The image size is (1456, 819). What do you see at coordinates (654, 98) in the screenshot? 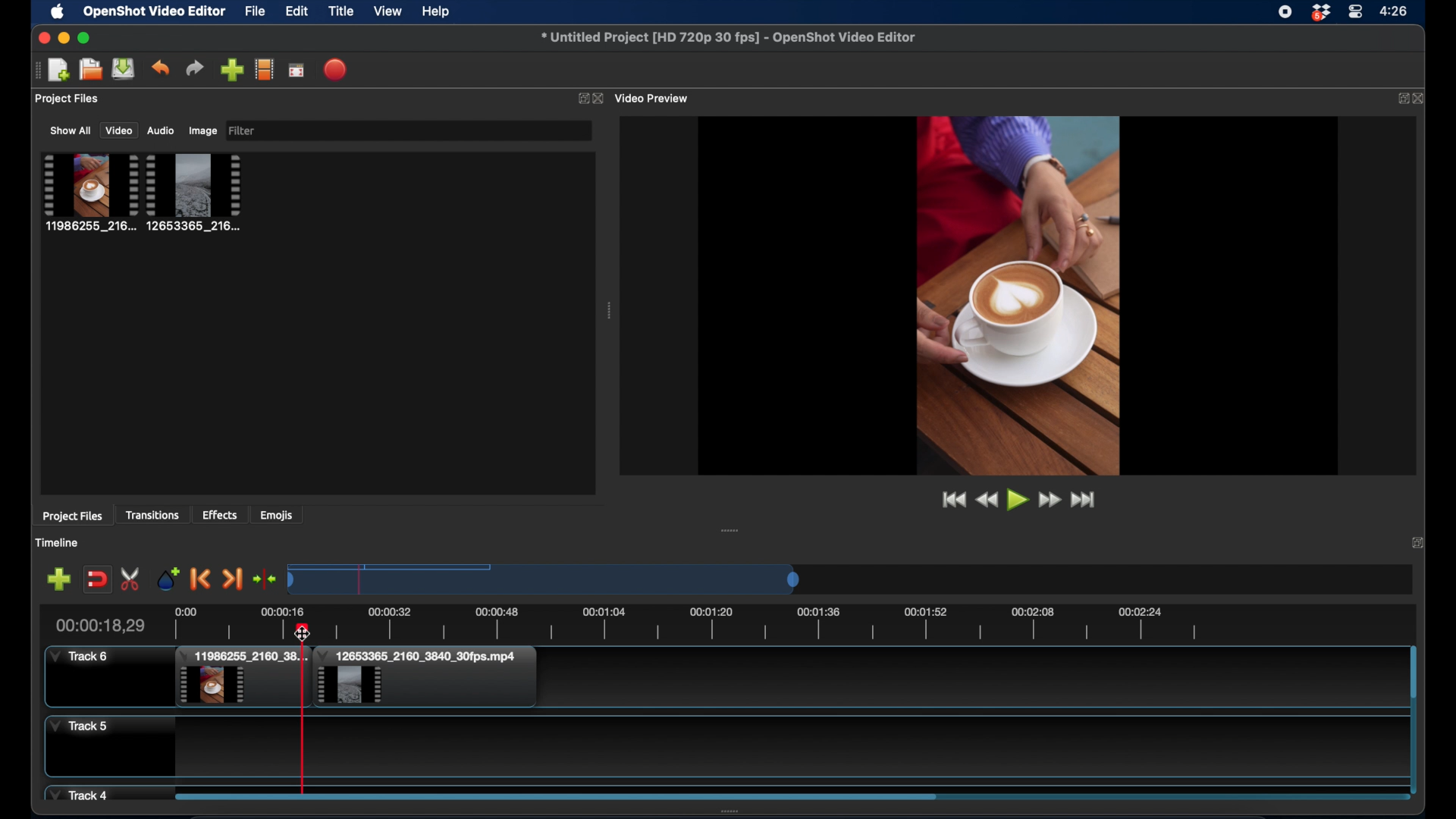
I see `video preview` at bounding box center [654, 98].